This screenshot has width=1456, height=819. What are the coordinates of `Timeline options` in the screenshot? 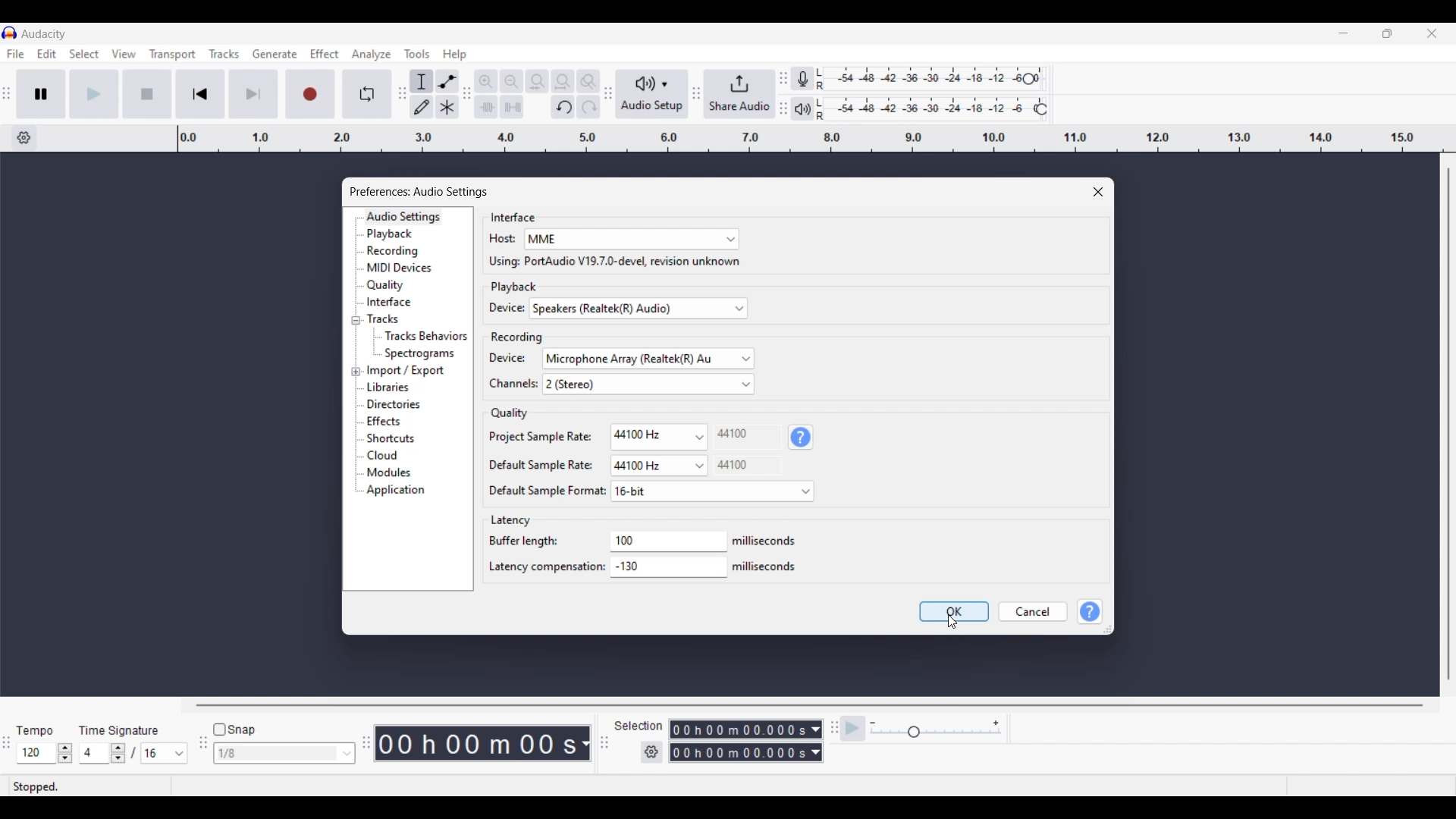 It's located at (24, 138).